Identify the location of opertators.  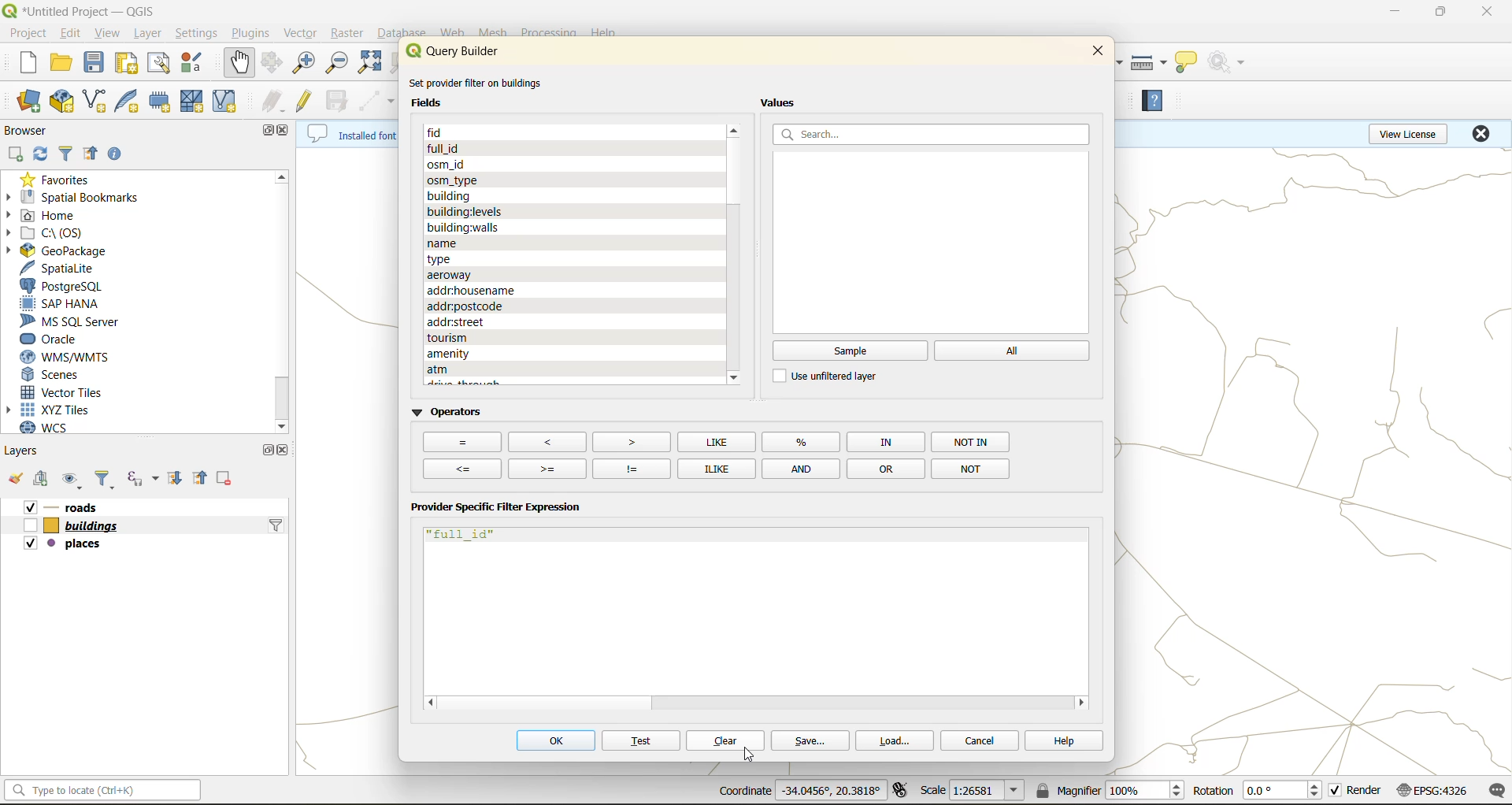
(713, 468).